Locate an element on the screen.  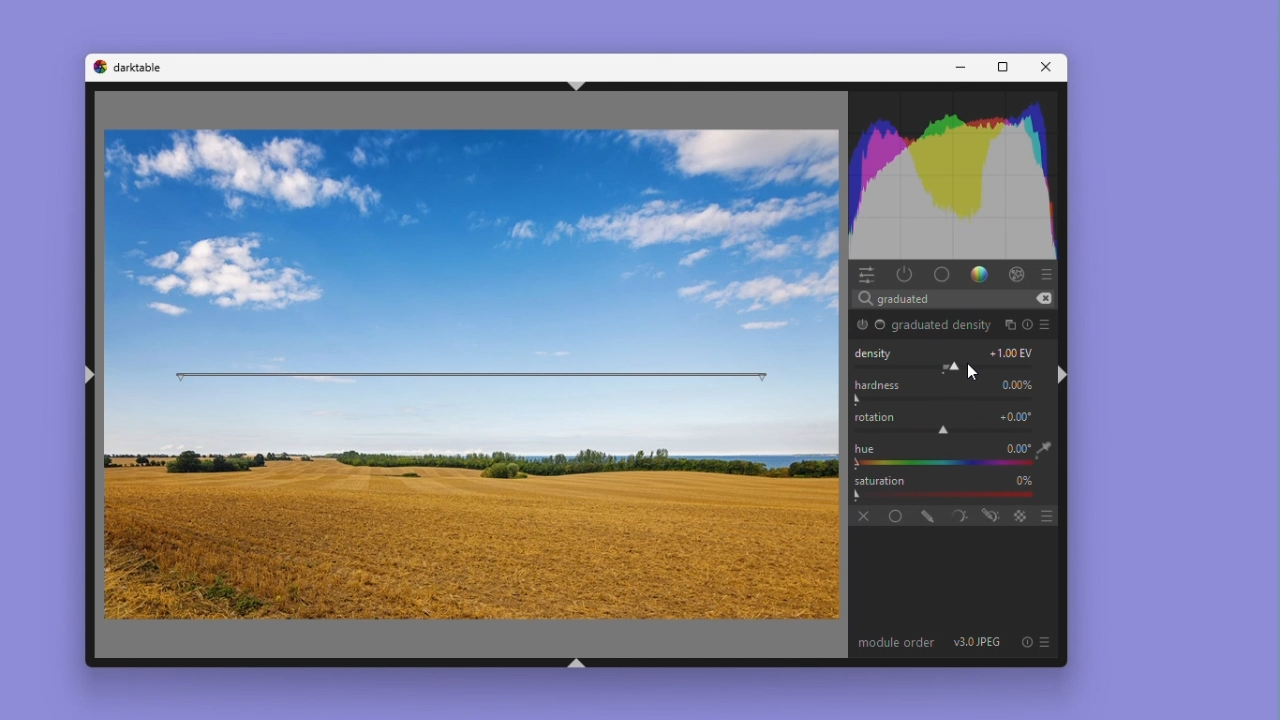
Power is located at coordinates (905, 273).